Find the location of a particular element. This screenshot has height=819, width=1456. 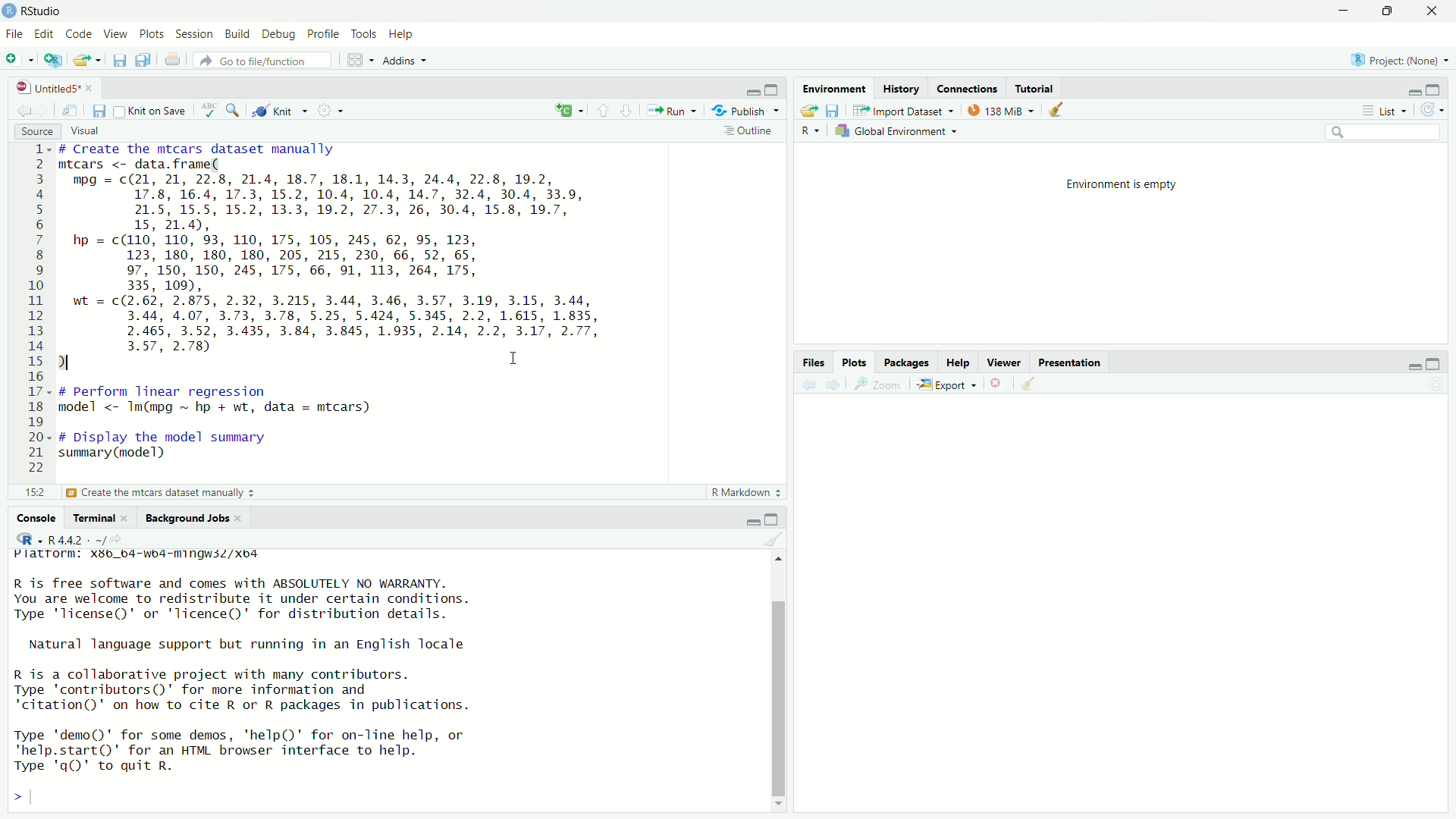

save all is located at coordinates (146, 59).